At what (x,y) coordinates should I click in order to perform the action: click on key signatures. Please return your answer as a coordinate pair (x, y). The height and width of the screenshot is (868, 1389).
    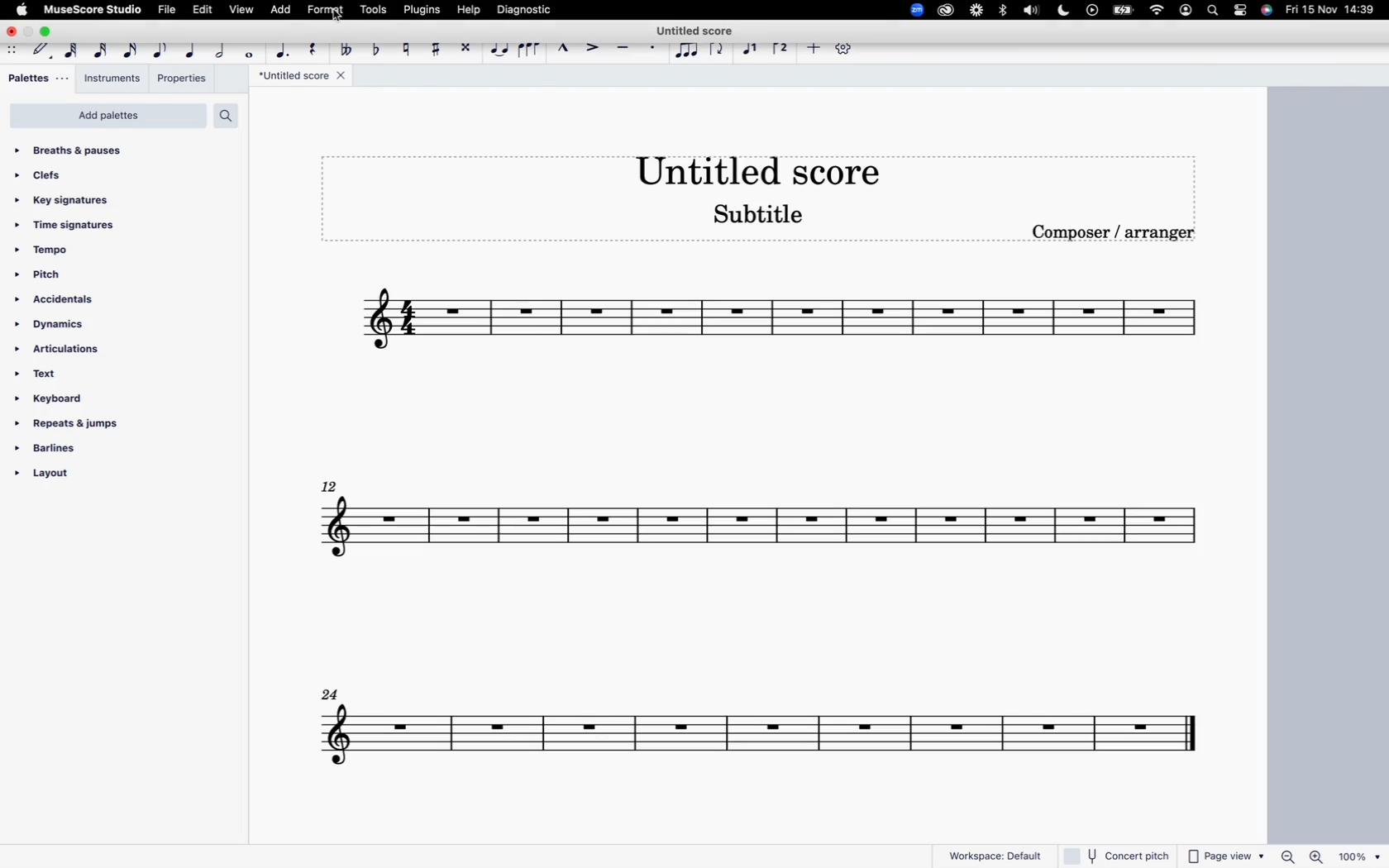
    Looking at the image, I should click on (64, 199).